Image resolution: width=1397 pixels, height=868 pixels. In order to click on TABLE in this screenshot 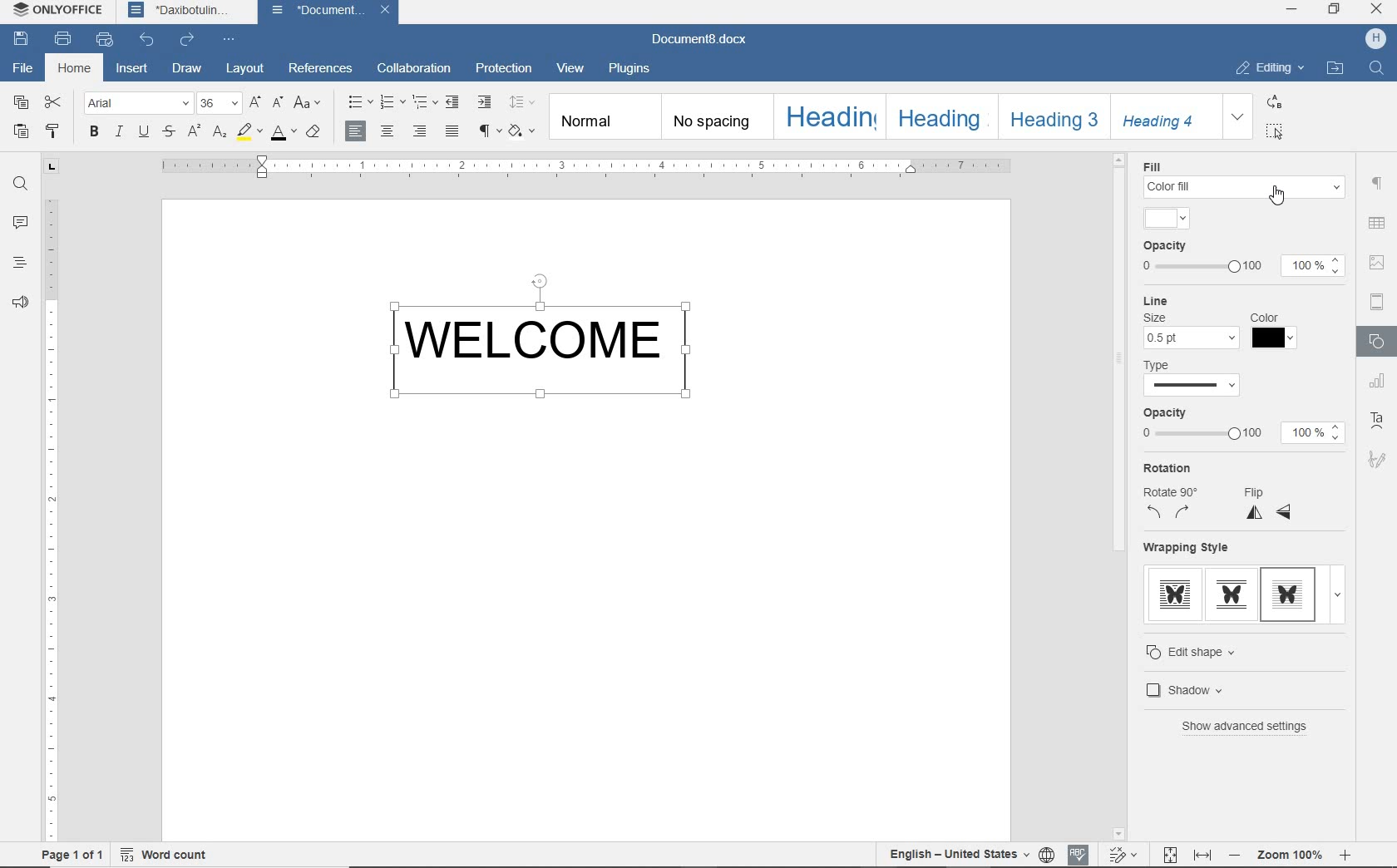, I will do `click(1376, 223)`.